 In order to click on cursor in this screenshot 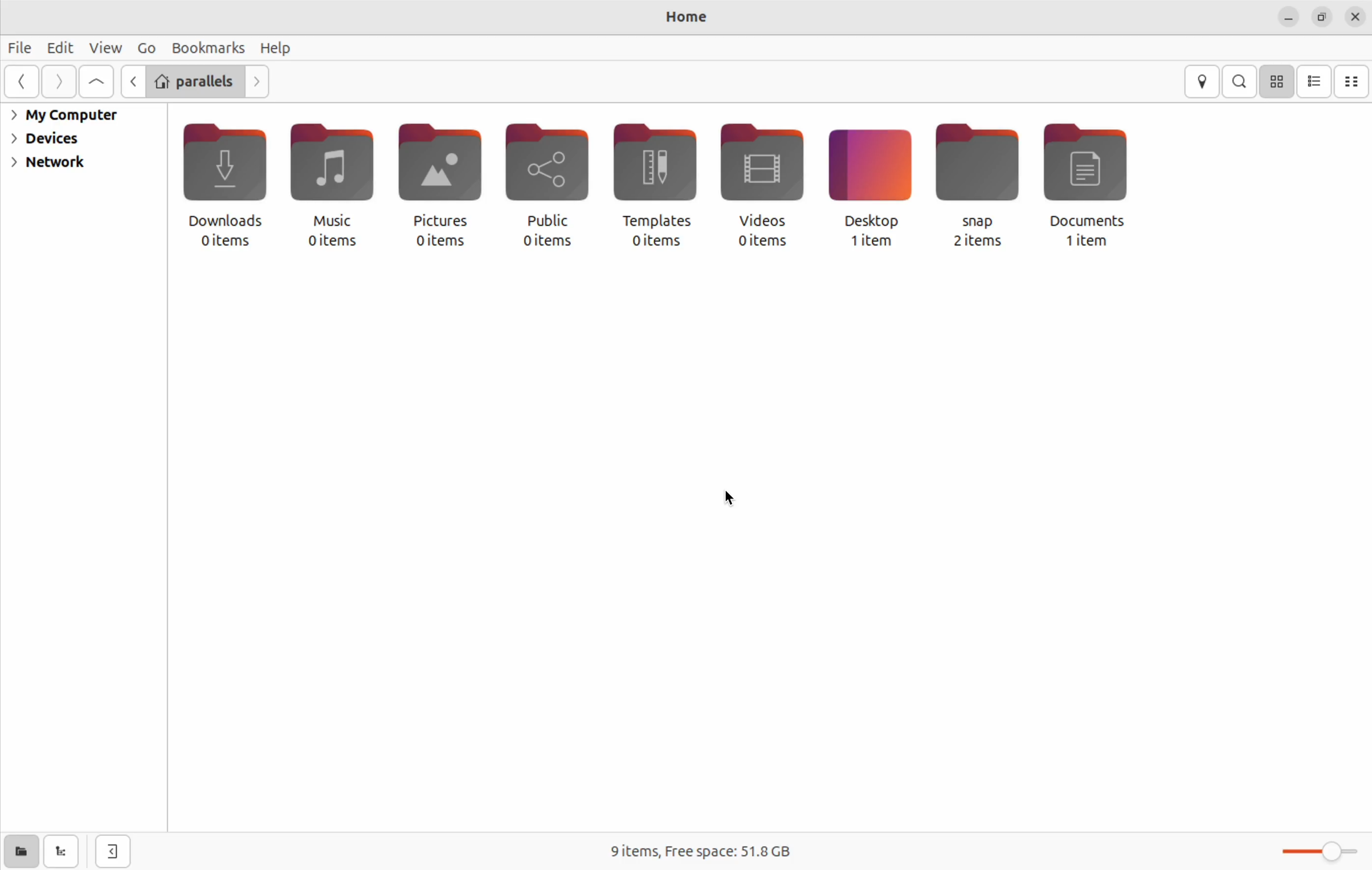, I will do `click(724, 499)`.